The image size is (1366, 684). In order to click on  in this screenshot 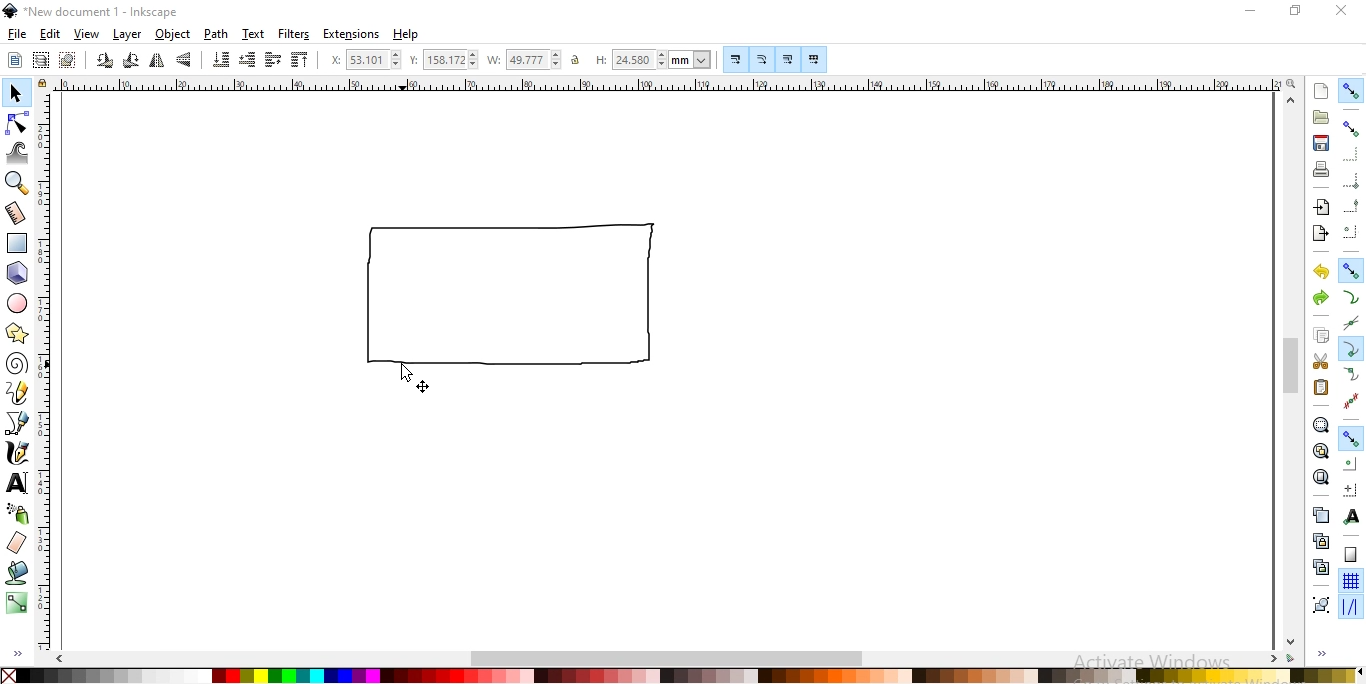, I will do `click(789, 59)`.